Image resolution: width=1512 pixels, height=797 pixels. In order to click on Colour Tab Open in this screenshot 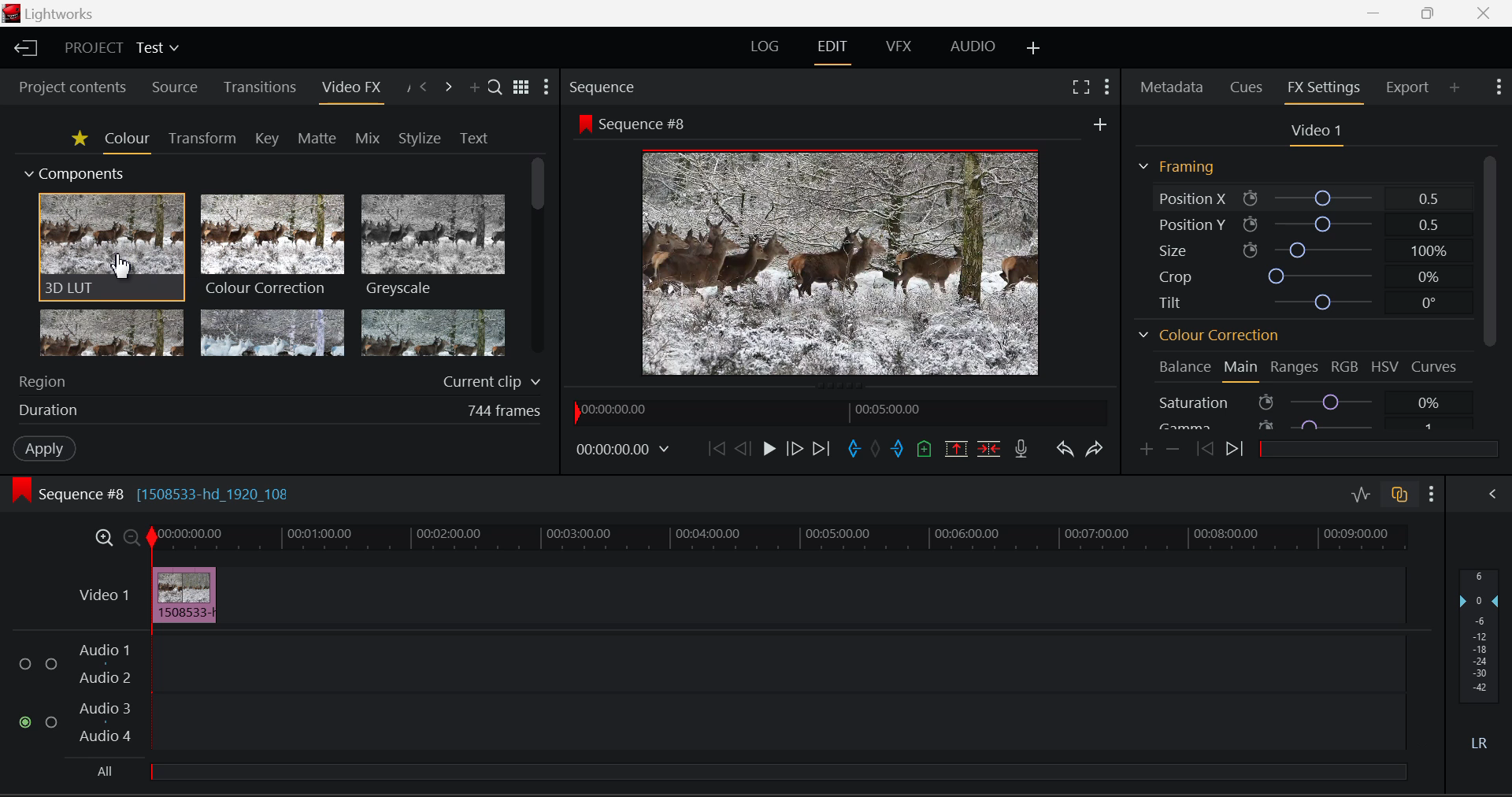, I will do `click(127, 143)`.